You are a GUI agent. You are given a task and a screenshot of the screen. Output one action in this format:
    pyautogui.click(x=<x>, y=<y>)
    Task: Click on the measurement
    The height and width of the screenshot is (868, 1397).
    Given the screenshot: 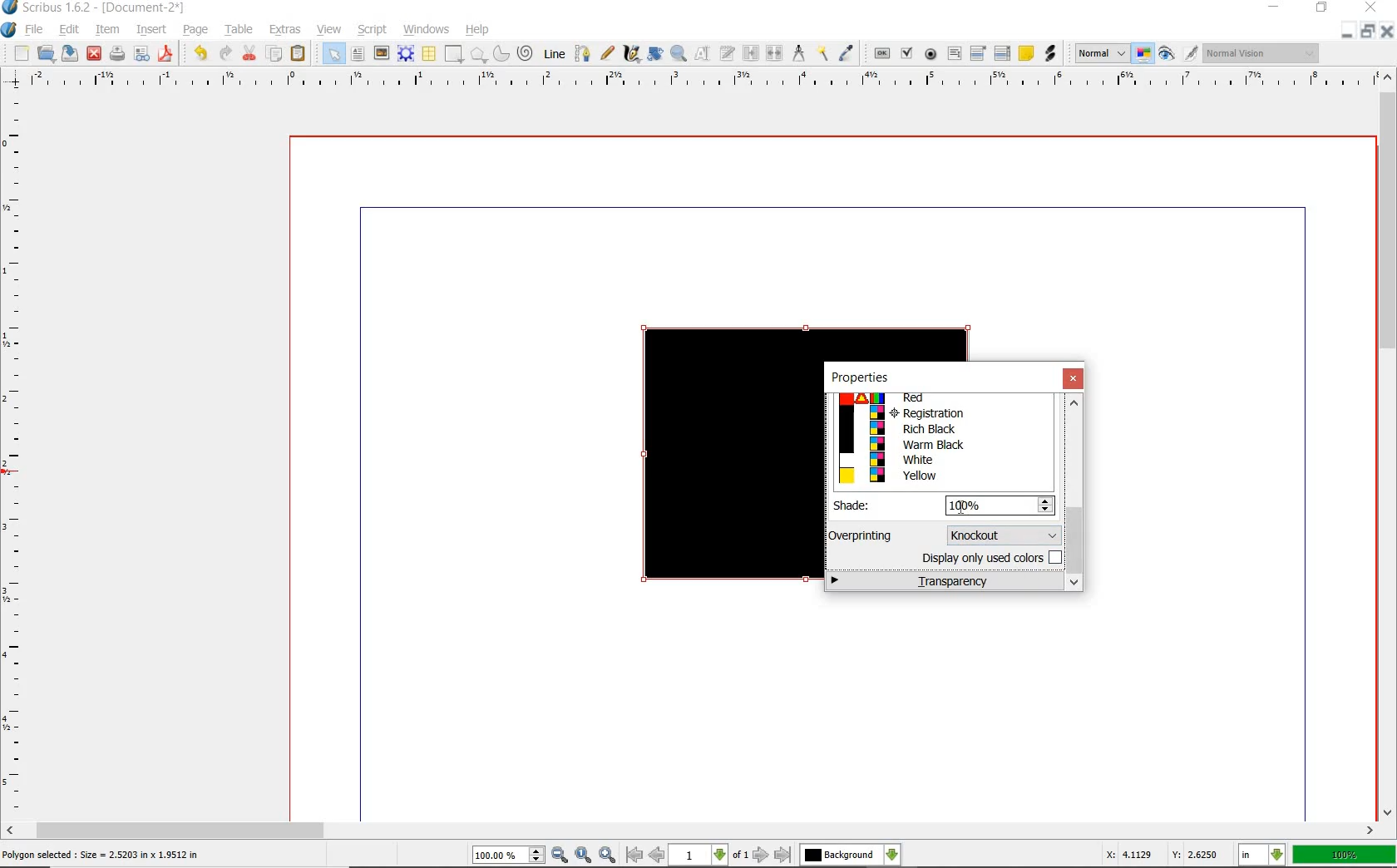 What is the action you would take?
    pyautogui.click(x=801, y=55)
    